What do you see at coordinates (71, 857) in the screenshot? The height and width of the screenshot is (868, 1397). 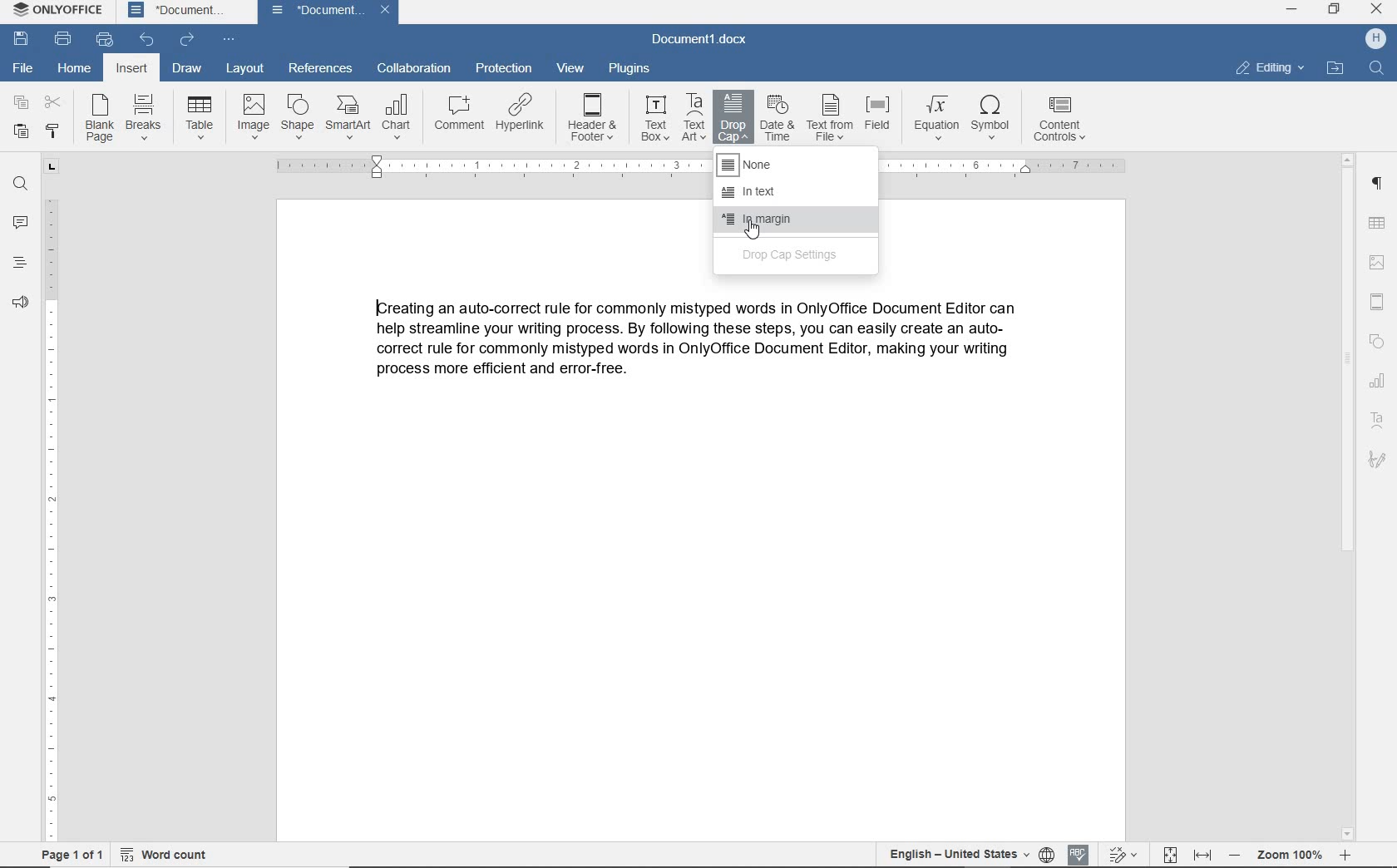 I see `page 1 of 1` at bounding box center [71, 857].